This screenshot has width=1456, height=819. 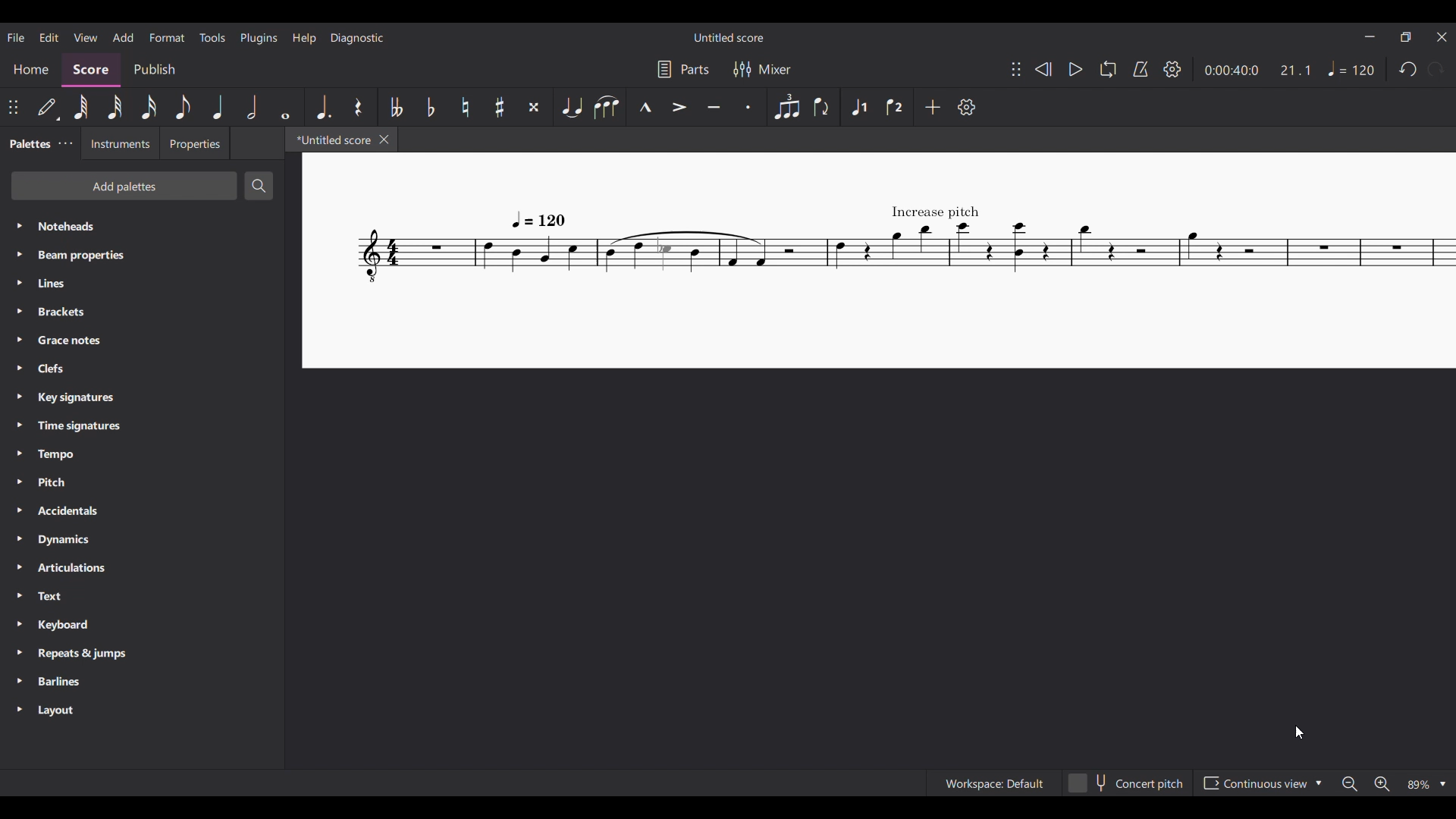 I want to click on Noteheads, so click(x=144, y=225).